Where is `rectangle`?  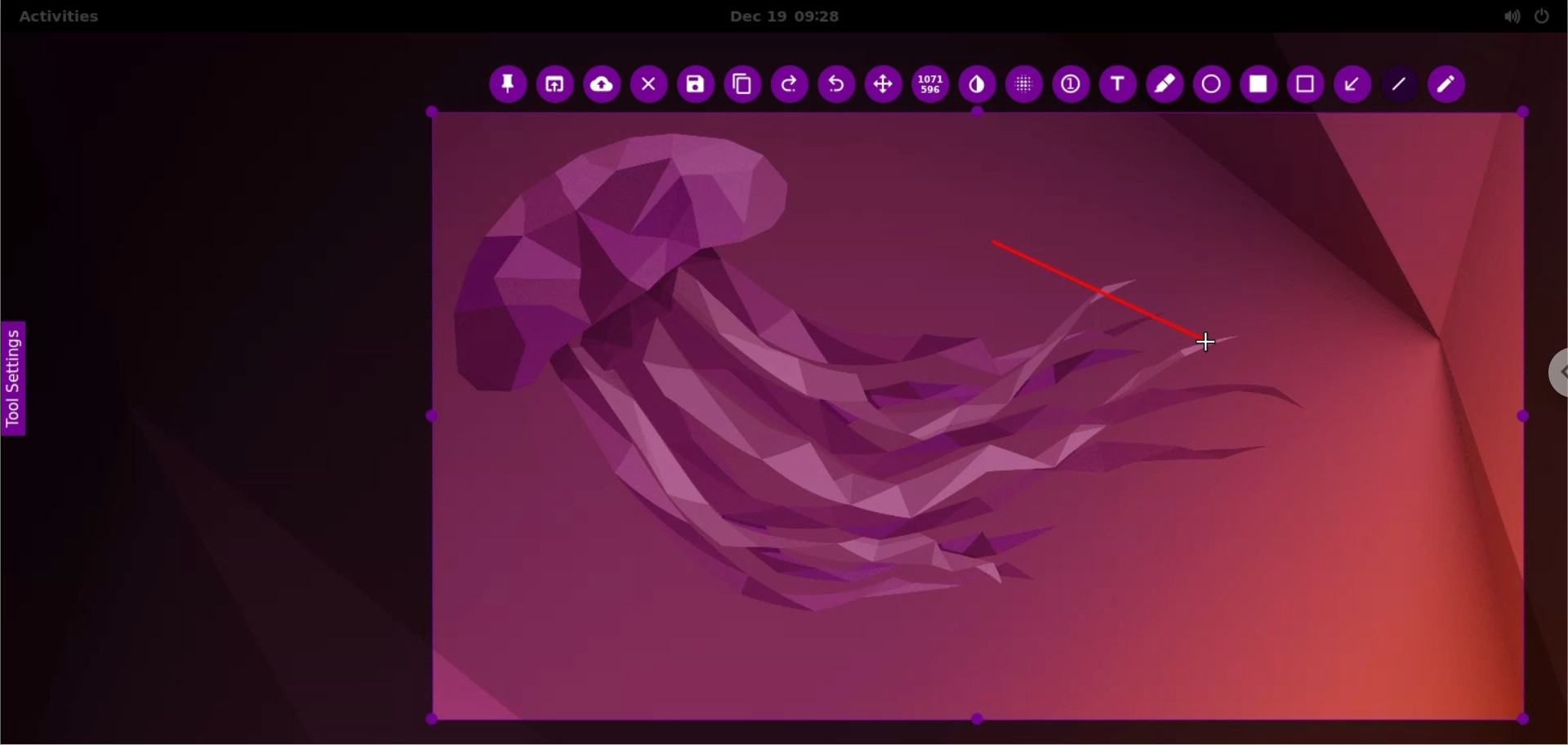 rectangle is located at coordinates (1303, 84).